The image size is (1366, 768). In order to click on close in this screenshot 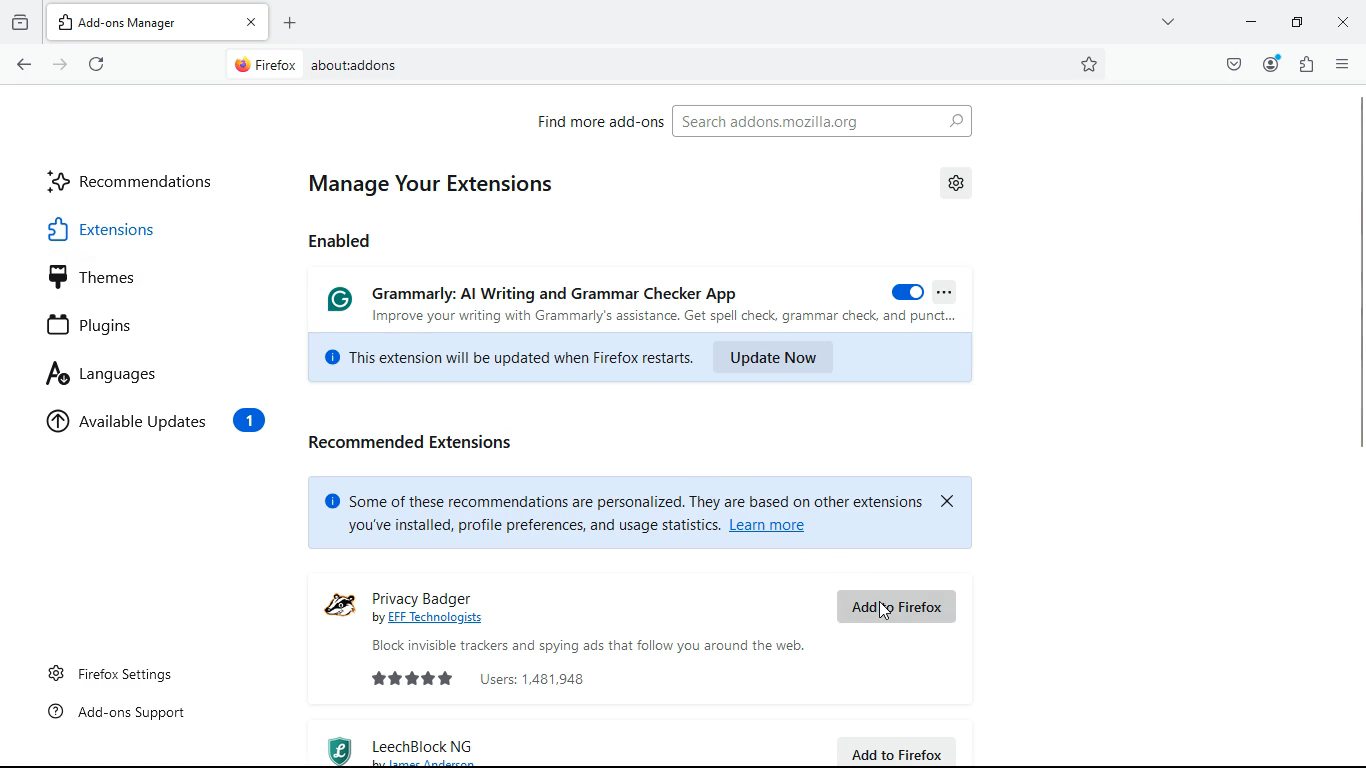, I will do `click(950, 500)`.